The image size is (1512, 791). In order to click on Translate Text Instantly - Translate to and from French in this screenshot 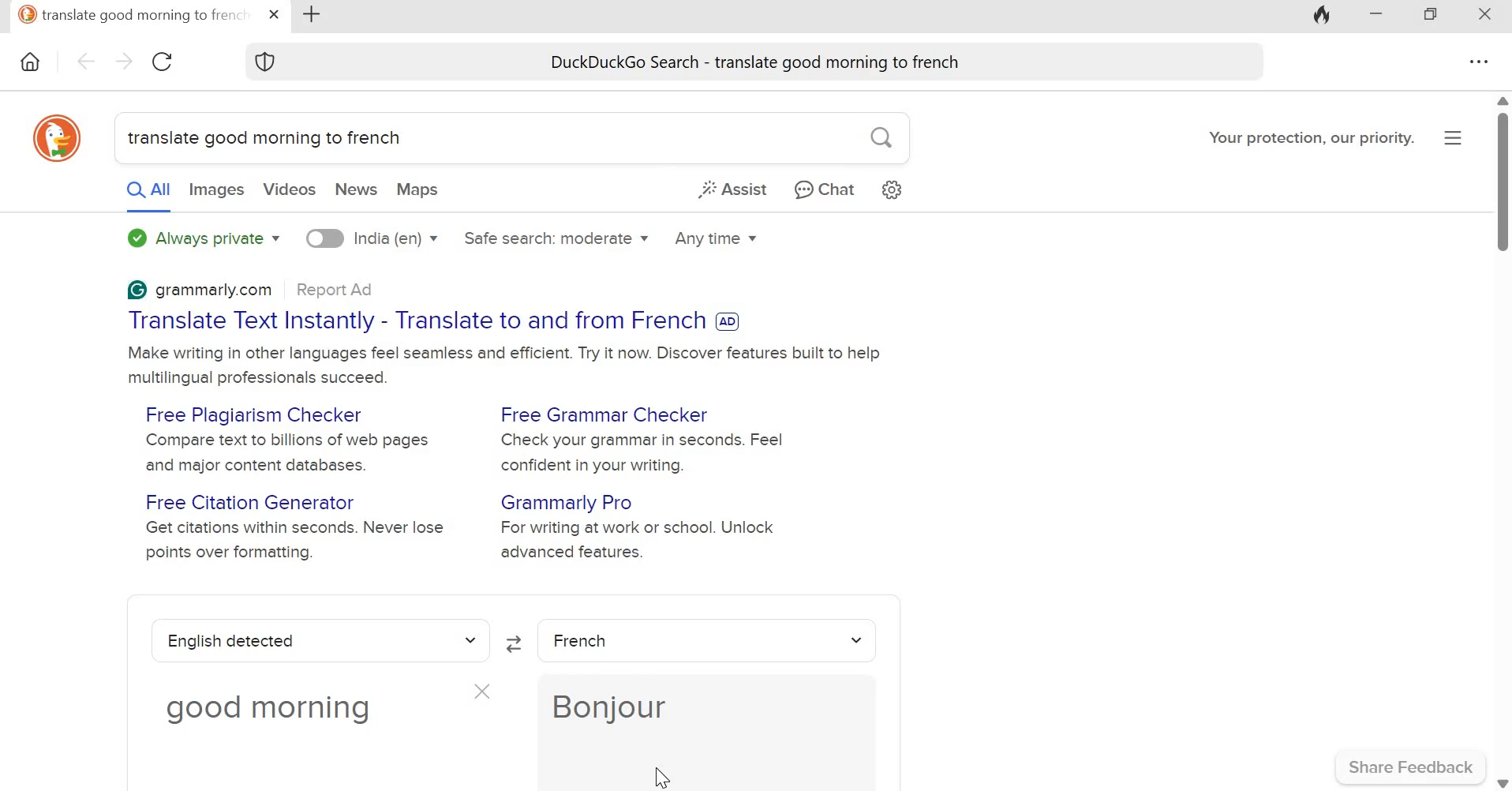, I will do `click(454, 320)`.